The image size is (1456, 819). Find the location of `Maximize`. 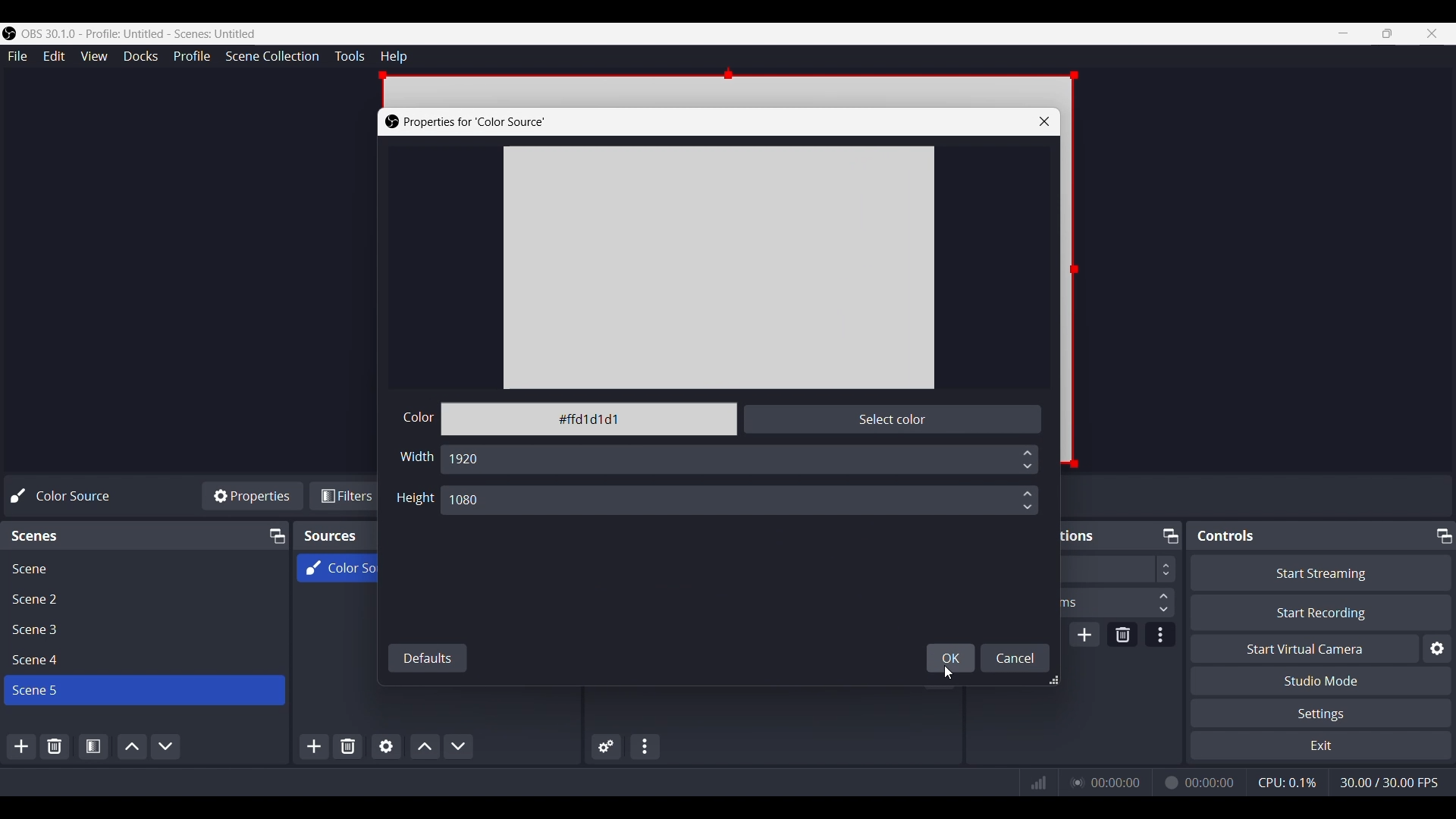

Maximize is located at coordinates (275, 535).